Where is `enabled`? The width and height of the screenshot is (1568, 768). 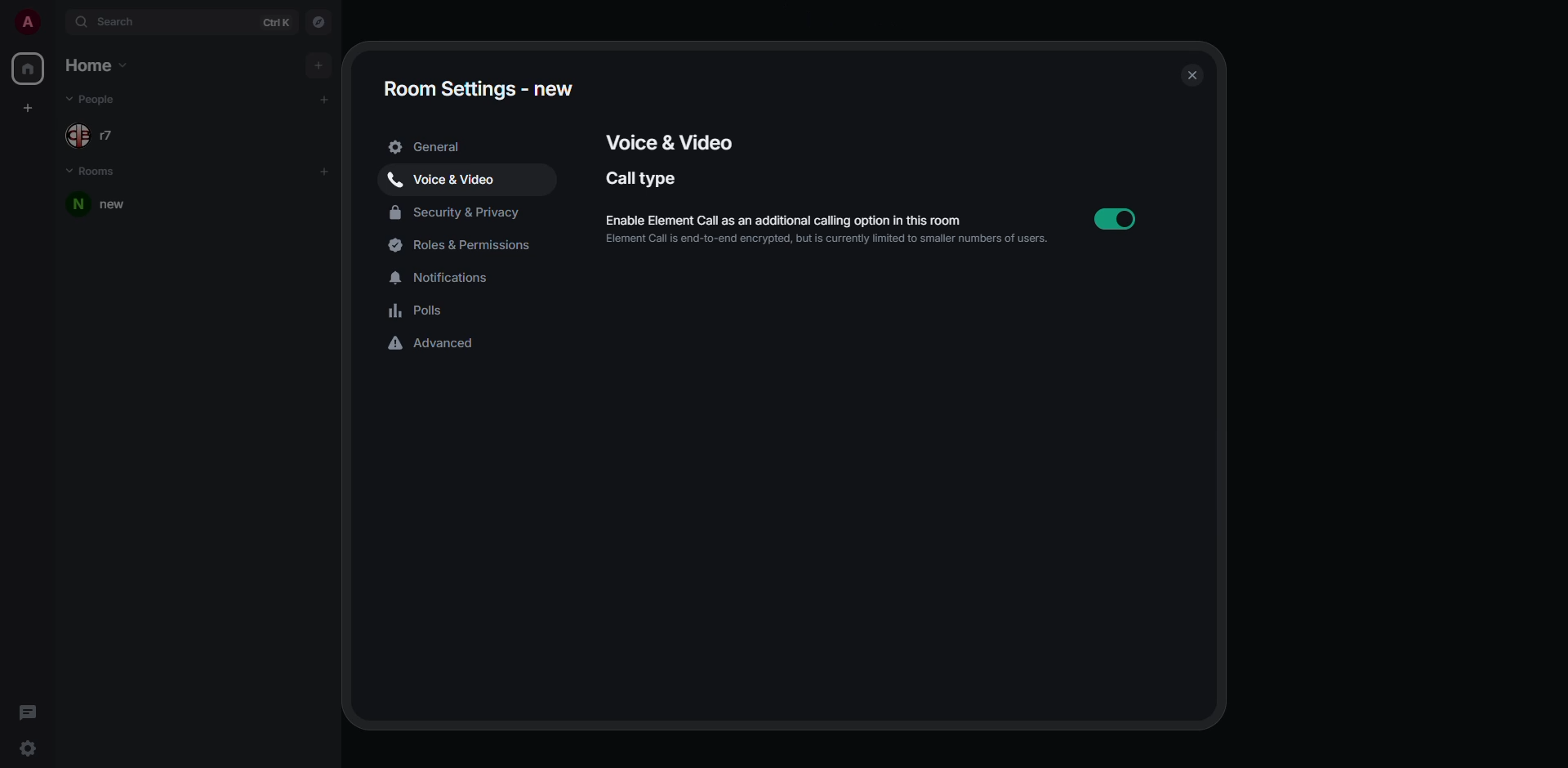 enabled is located at coordinates (1115, 220).